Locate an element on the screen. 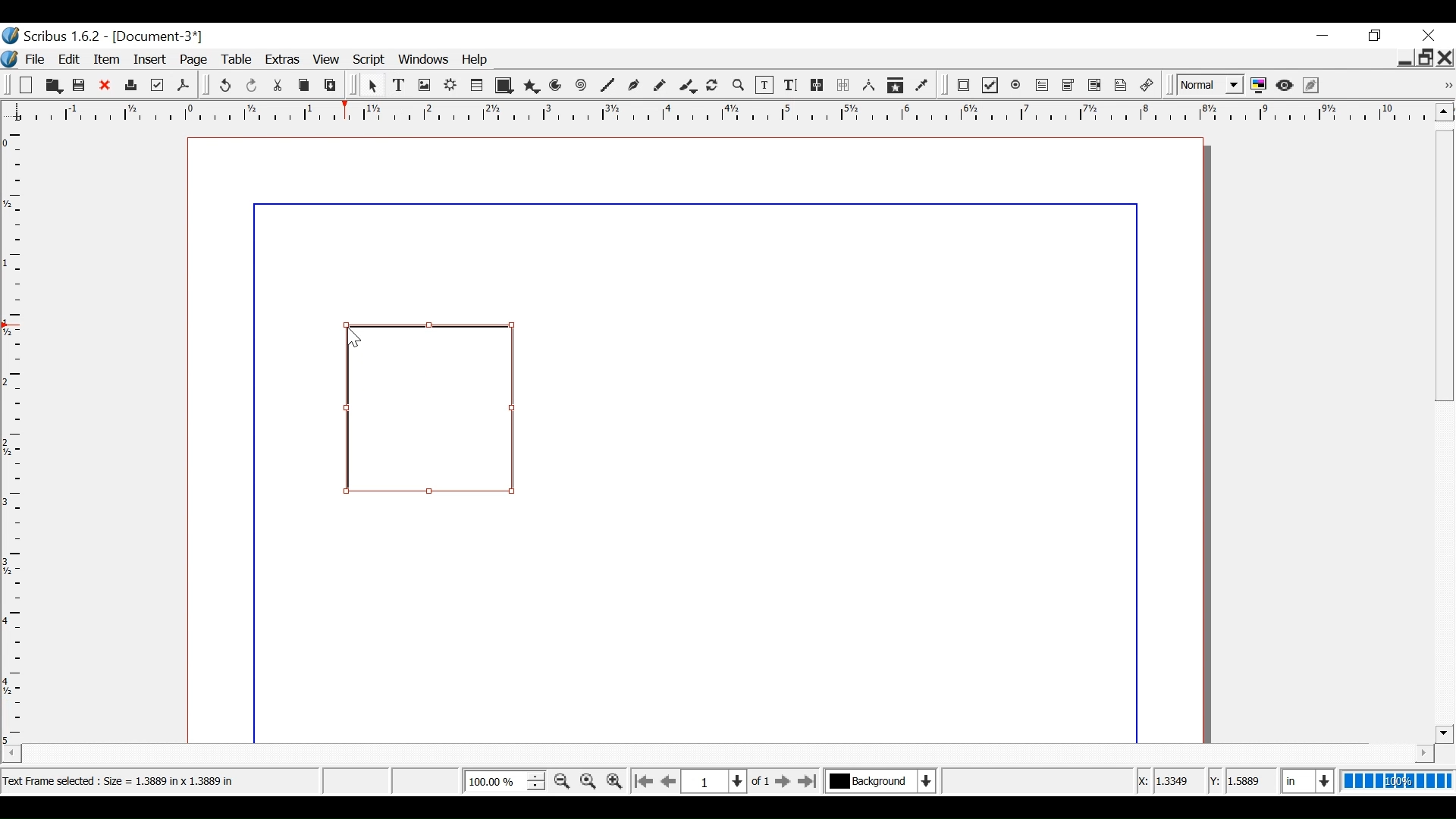 This screenshot has height=819, width=1456. PDF Combo Box is located at coordinates (1070, 86).